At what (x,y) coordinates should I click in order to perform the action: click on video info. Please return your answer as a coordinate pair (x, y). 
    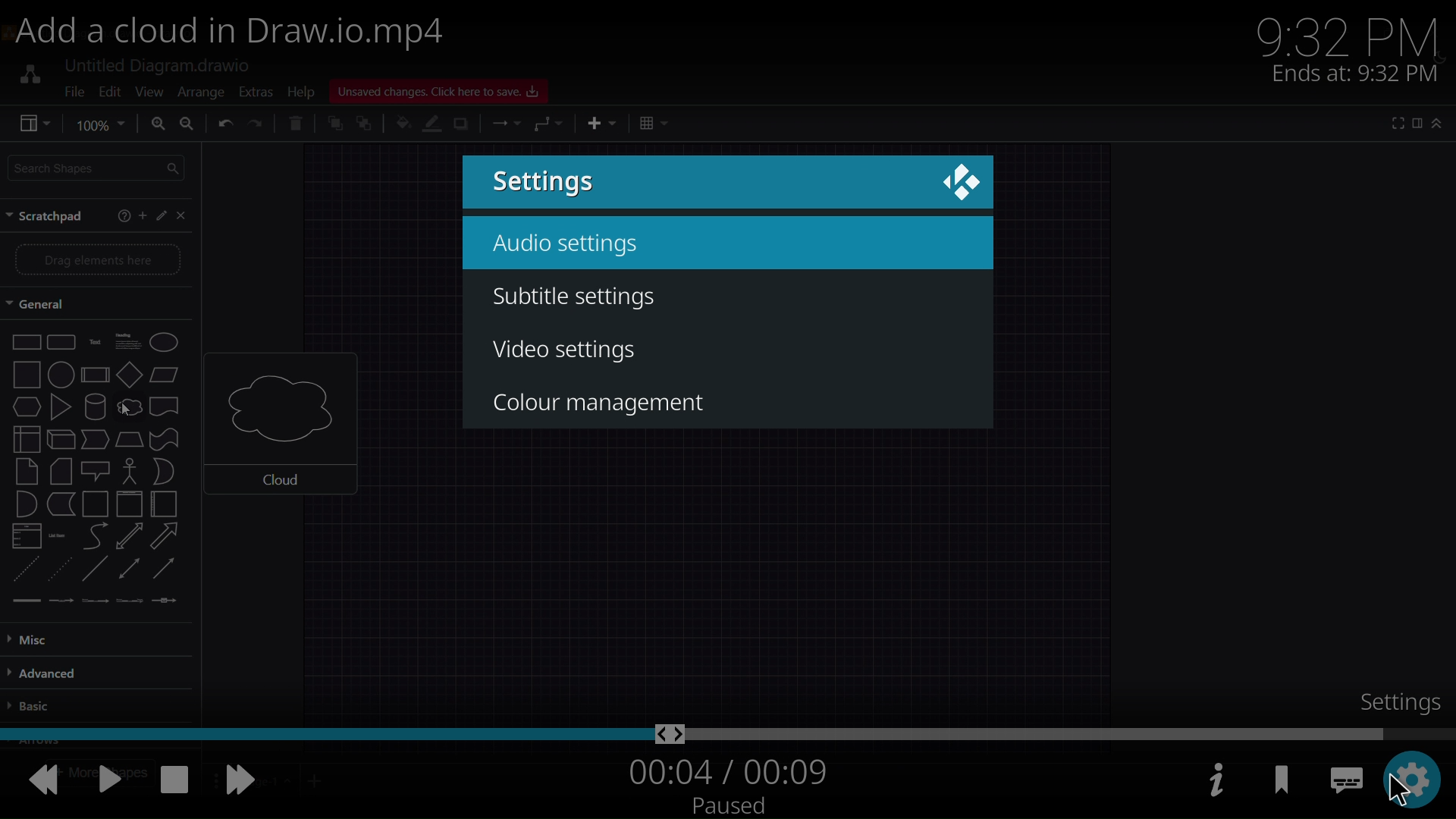
    Looking at the image, I should click on (1212, 780).